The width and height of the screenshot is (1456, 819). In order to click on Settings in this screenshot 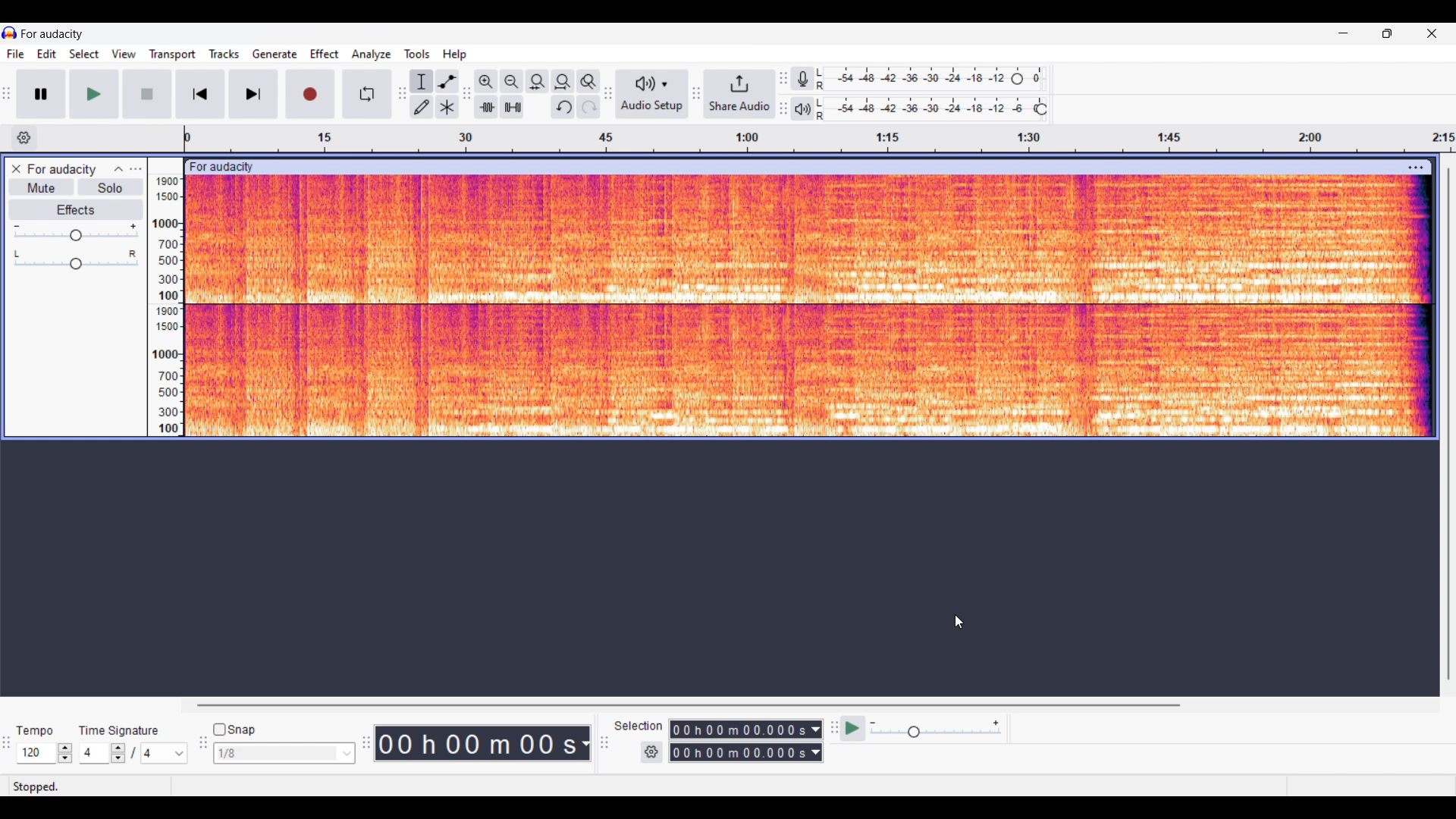, I will do `click(651, 752)`.